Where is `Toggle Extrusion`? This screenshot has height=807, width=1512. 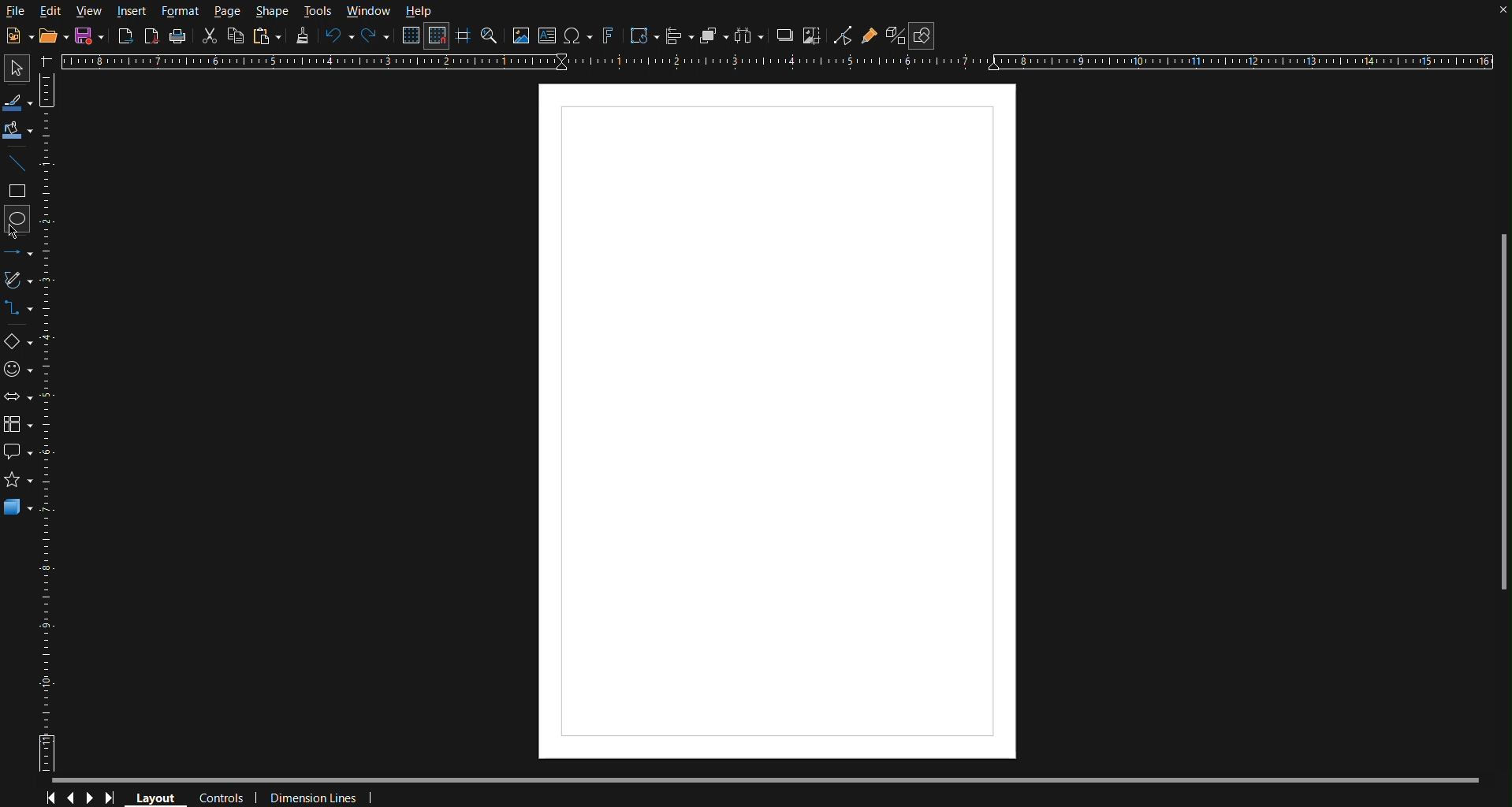
Toggle Extrusion is located at coordinates (895, 36).